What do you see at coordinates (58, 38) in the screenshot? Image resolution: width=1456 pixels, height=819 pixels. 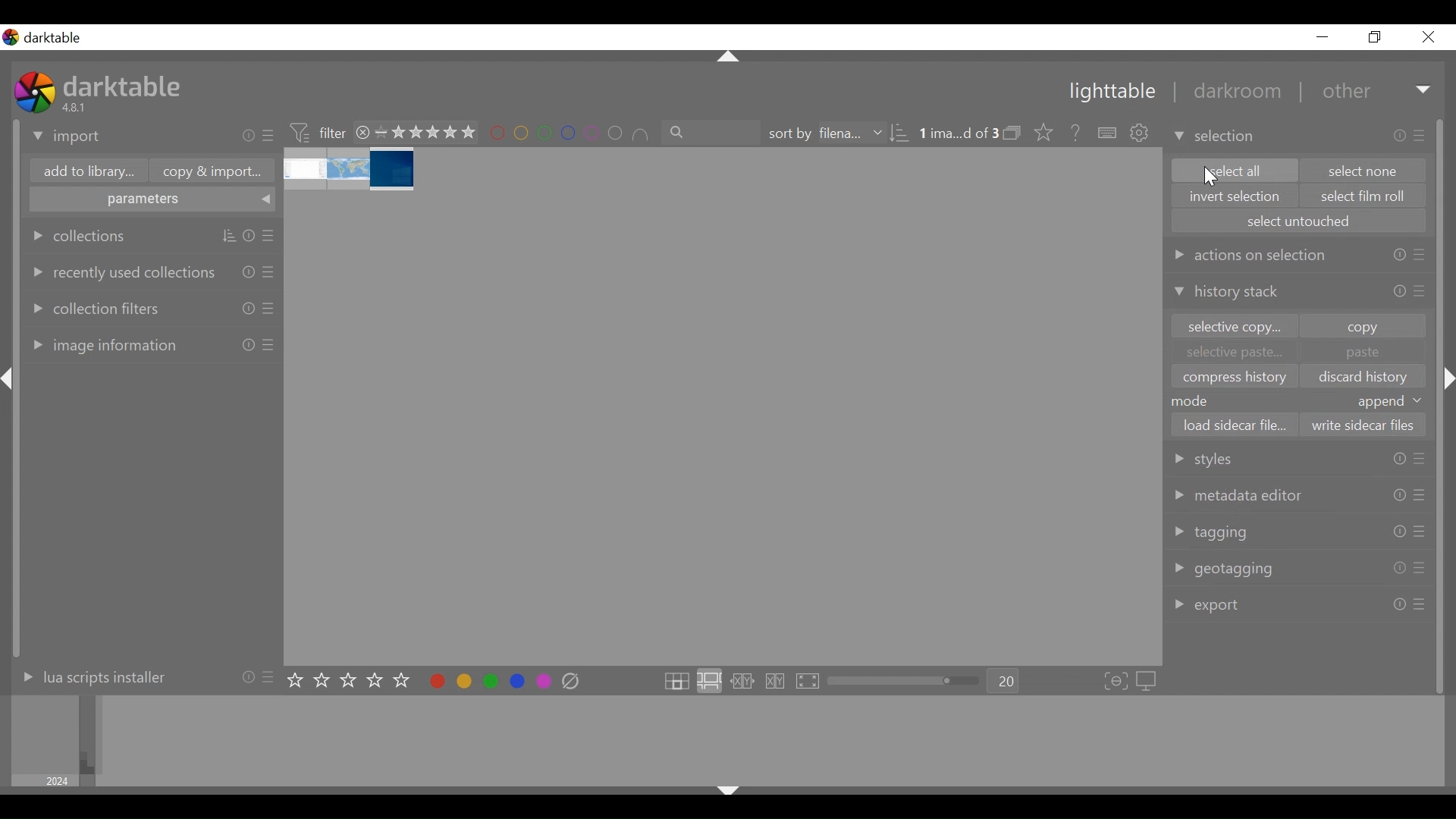 I see `darktable` at bounding box center [58, 38].